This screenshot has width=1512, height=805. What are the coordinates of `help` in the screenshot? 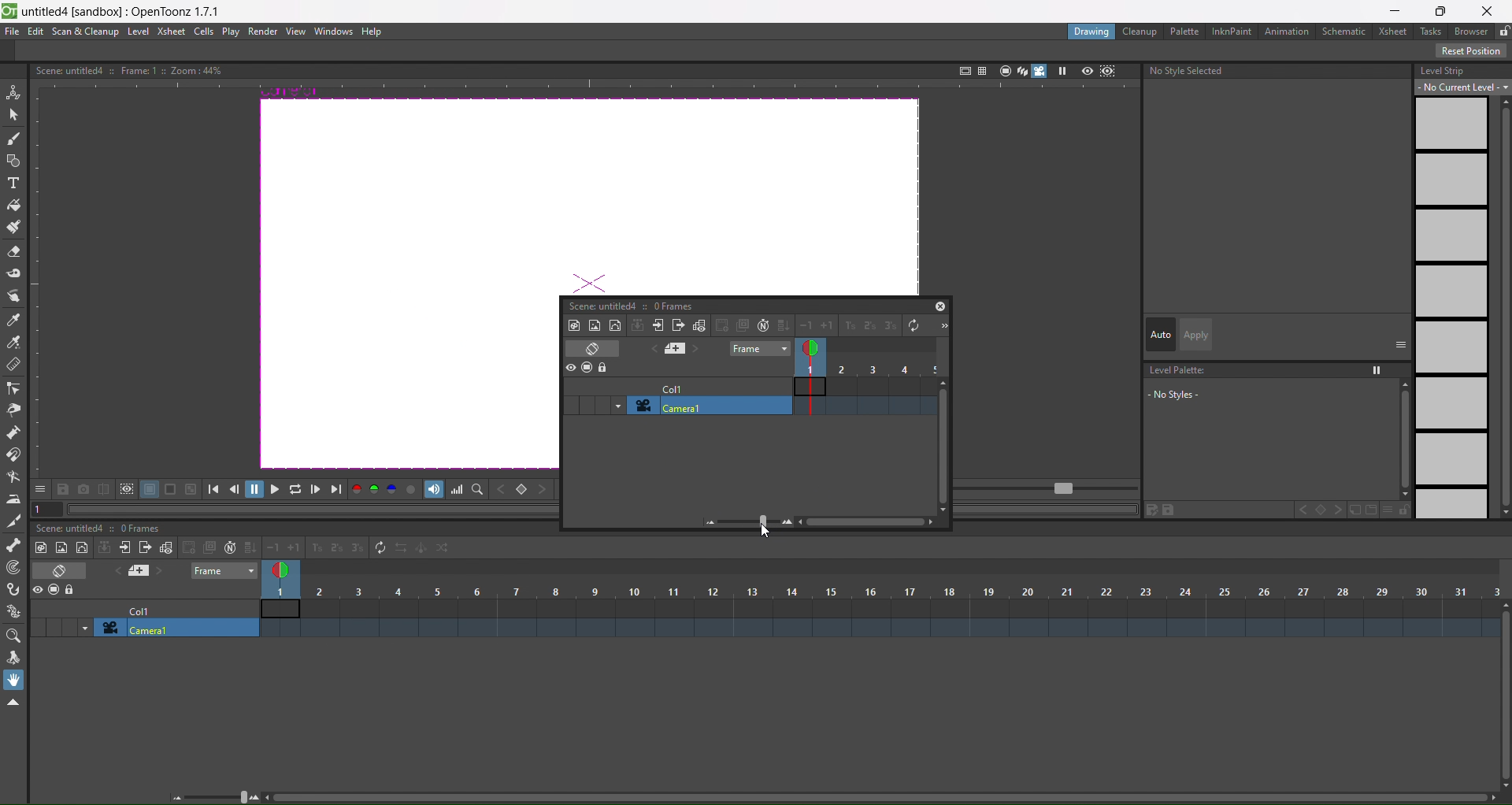 It's located at (372, 32).